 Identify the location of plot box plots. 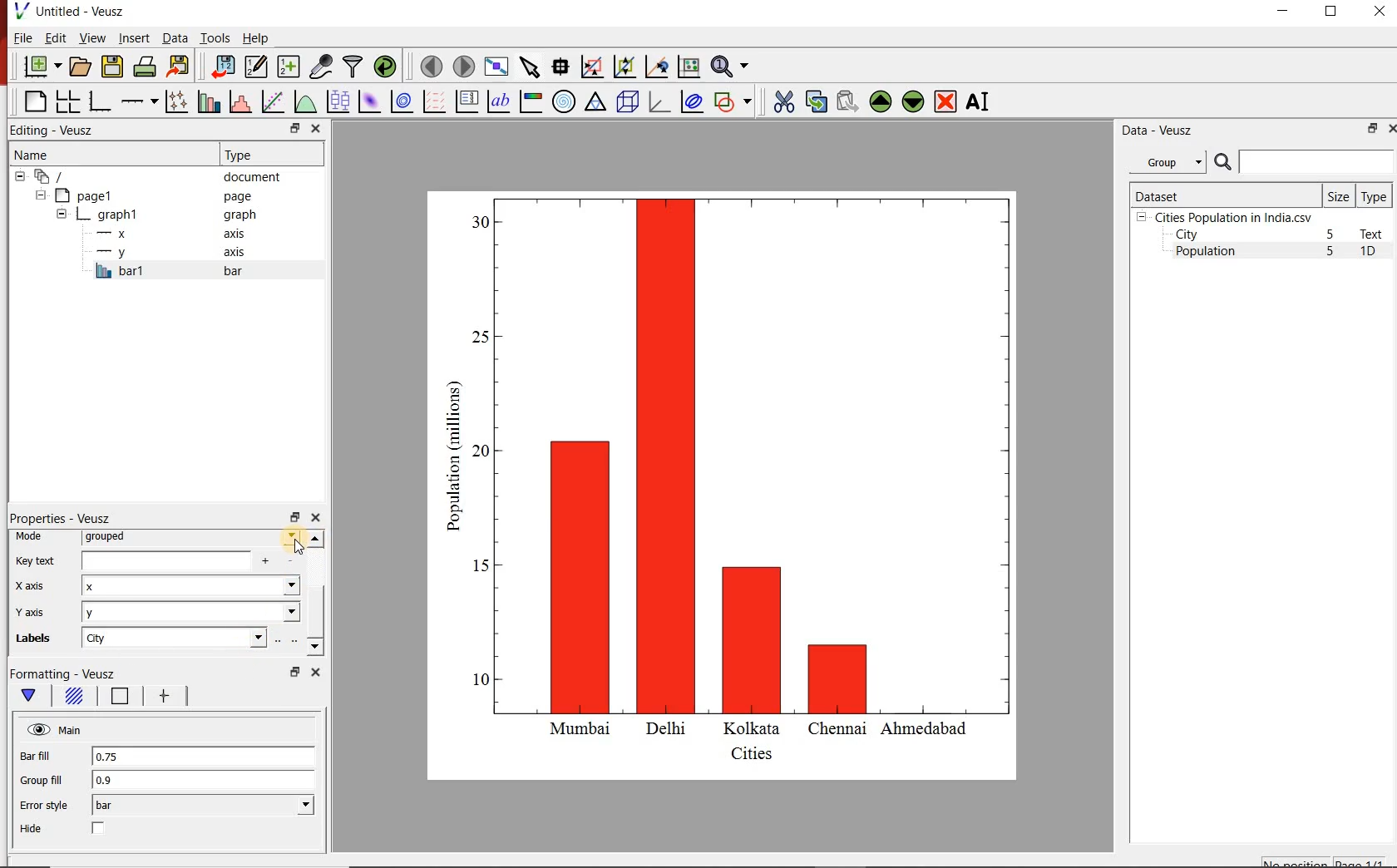
(337, 101).